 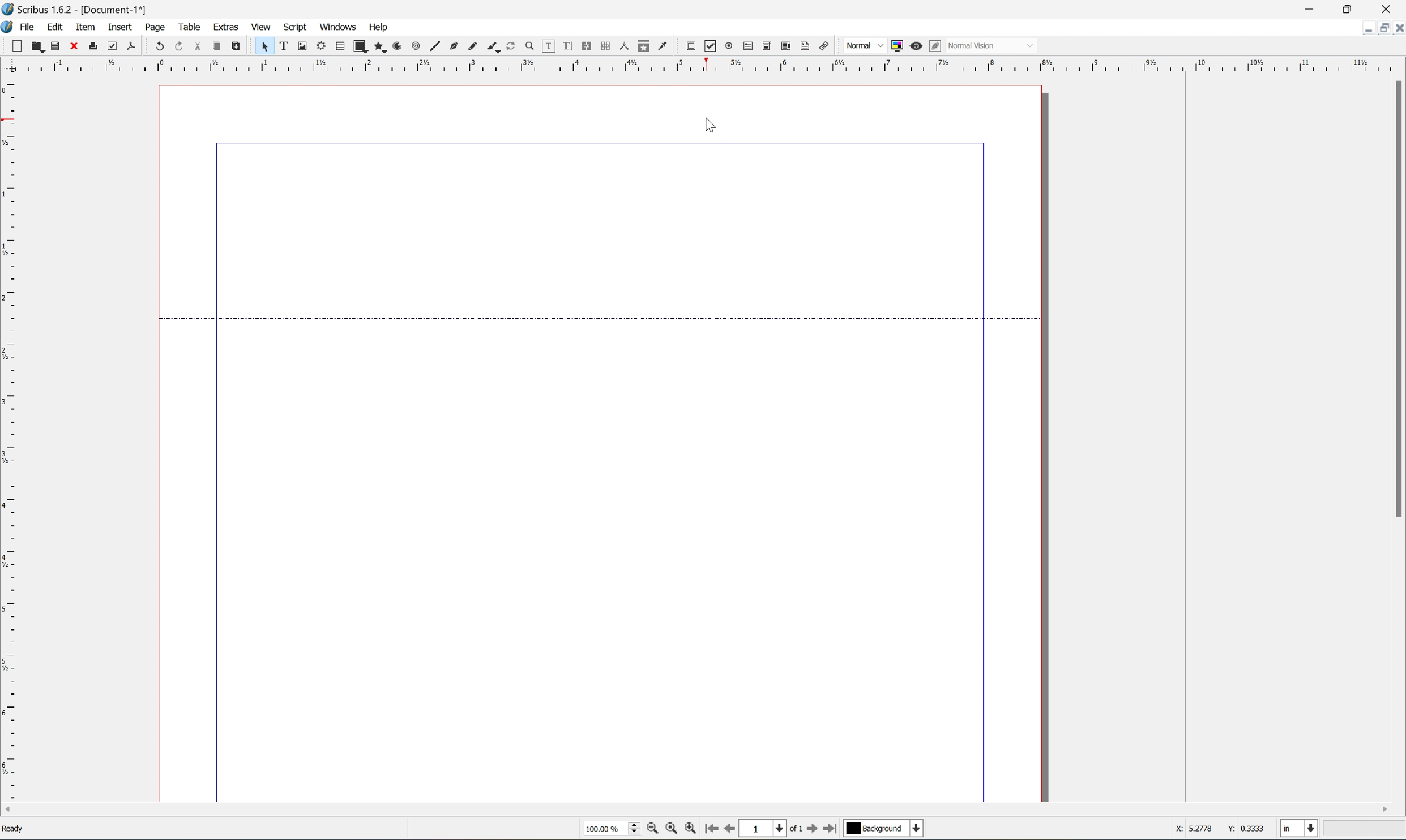 I want to click on insert, so click(x=113, y=25).